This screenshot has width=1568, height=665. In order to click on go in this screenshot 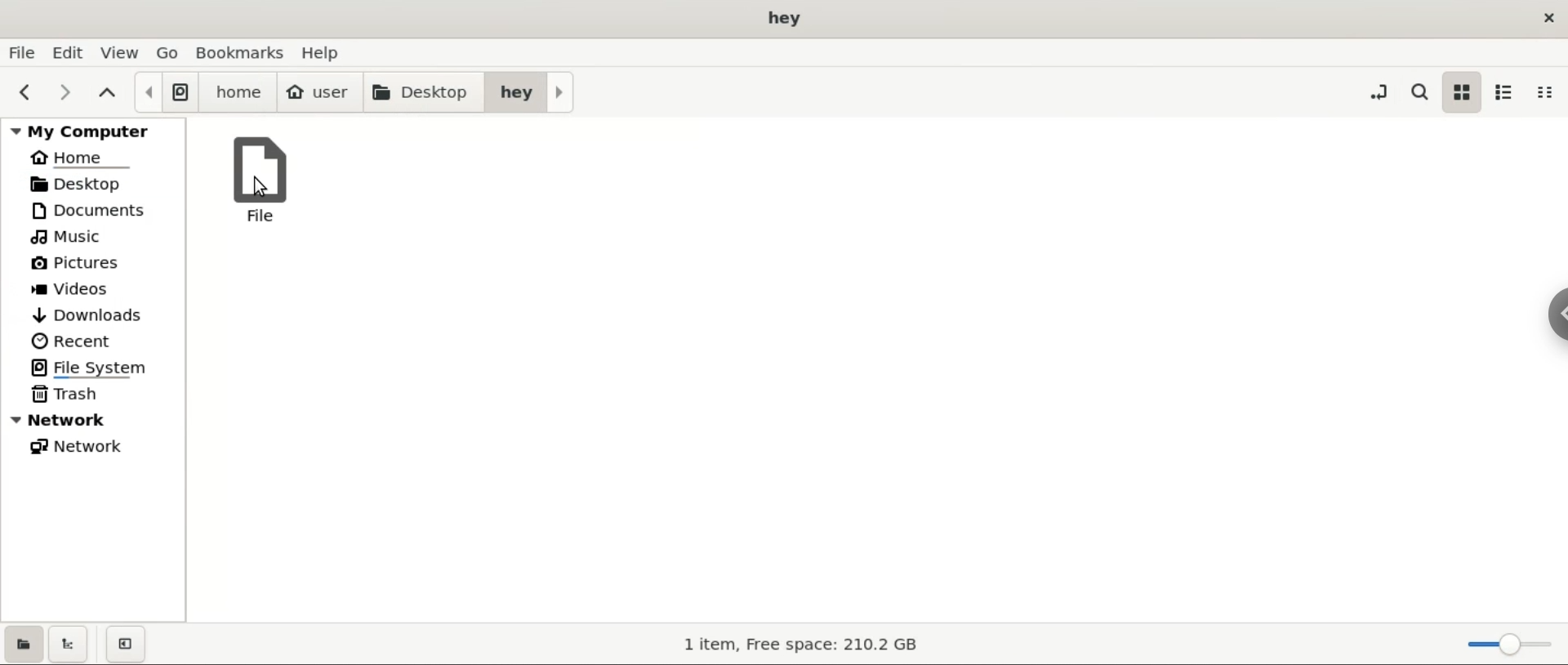, I will do `click(167, 51)`.